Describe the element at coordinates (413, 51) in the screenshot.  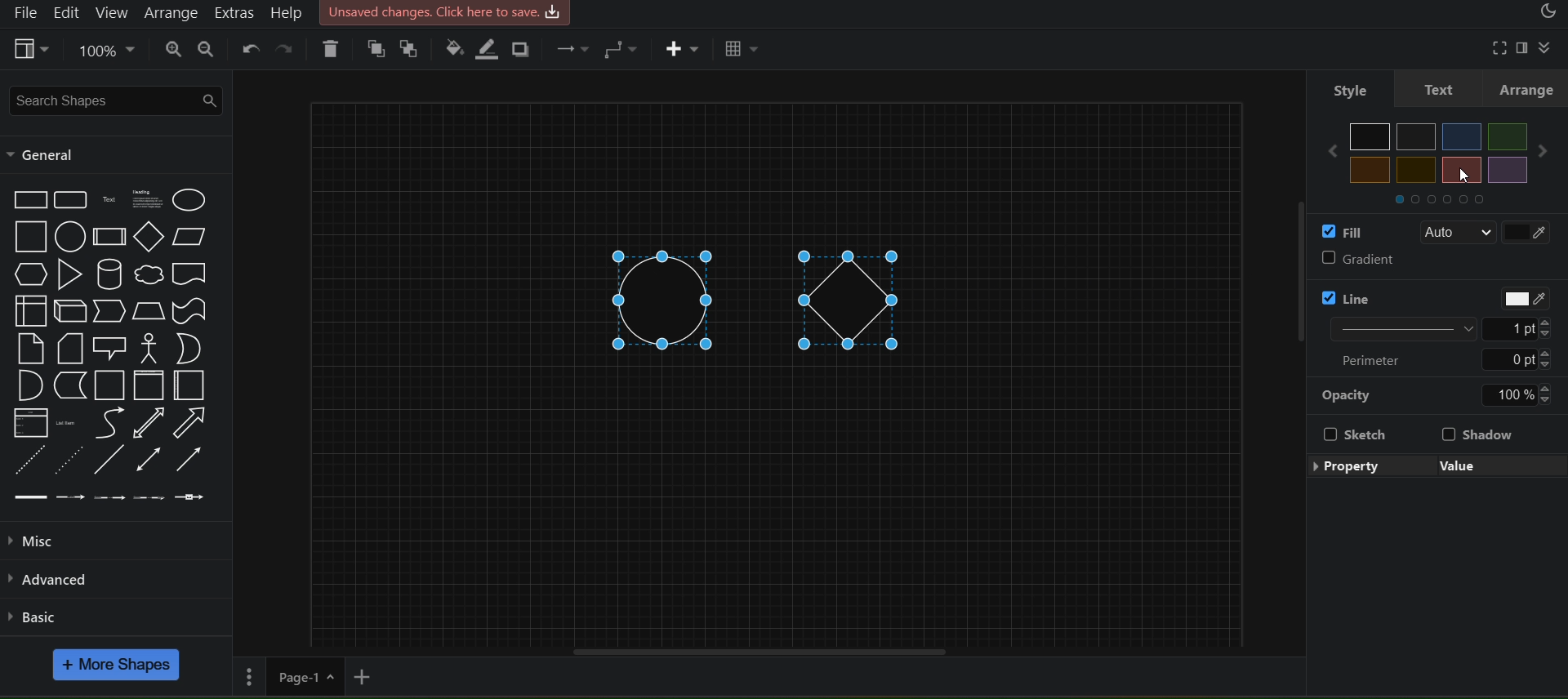
I see `to back` at that location.